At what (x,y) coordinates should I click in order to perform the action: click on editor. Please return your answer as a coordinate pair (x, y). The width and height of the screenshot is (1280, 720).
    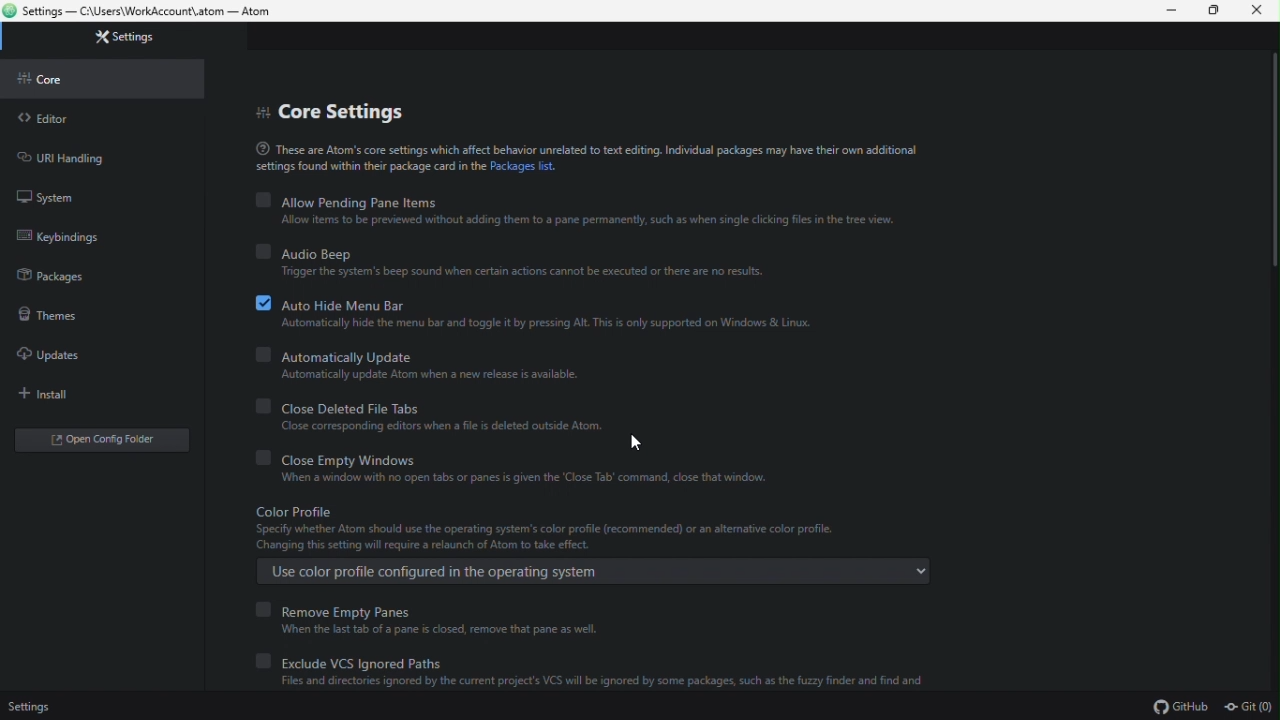
    Looking at the image, I should click on (86, 122).